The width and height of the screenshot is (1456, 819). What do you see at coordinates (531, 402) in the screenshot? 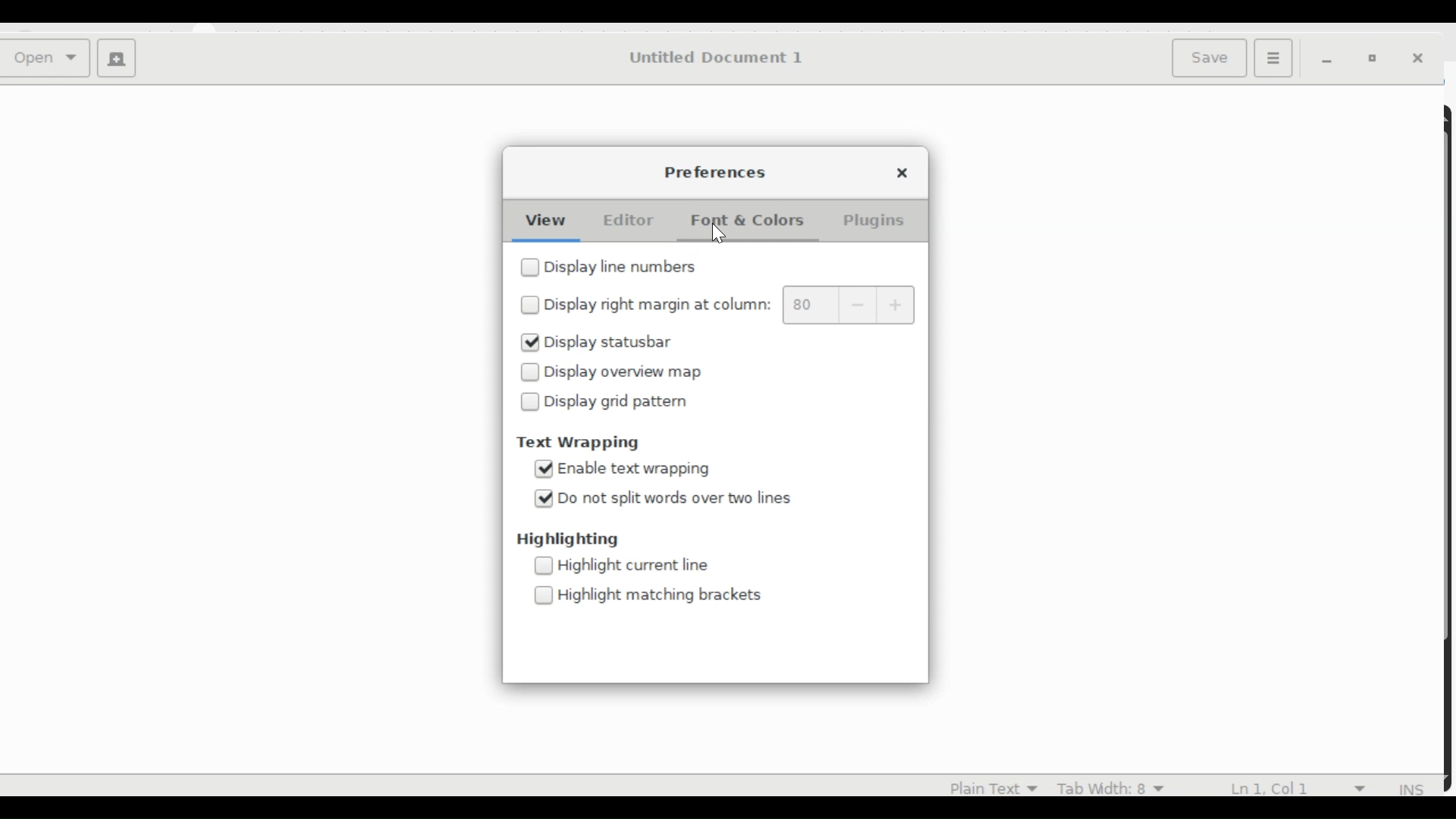
I see `checkbox` at bounding box center [531, 402].